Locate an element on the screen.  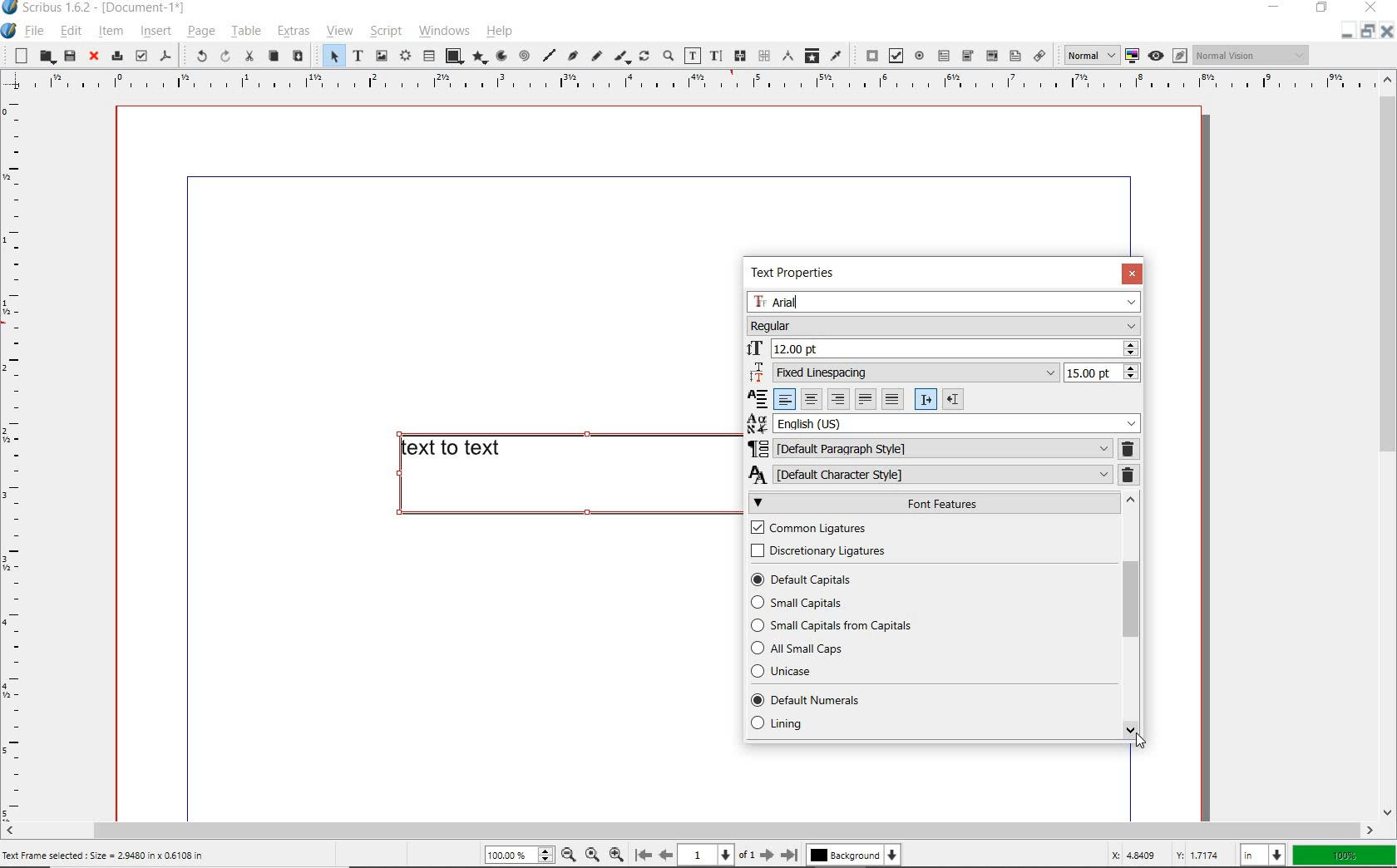
DEFAULT NUMBERS is located at coordinates (809, 698).